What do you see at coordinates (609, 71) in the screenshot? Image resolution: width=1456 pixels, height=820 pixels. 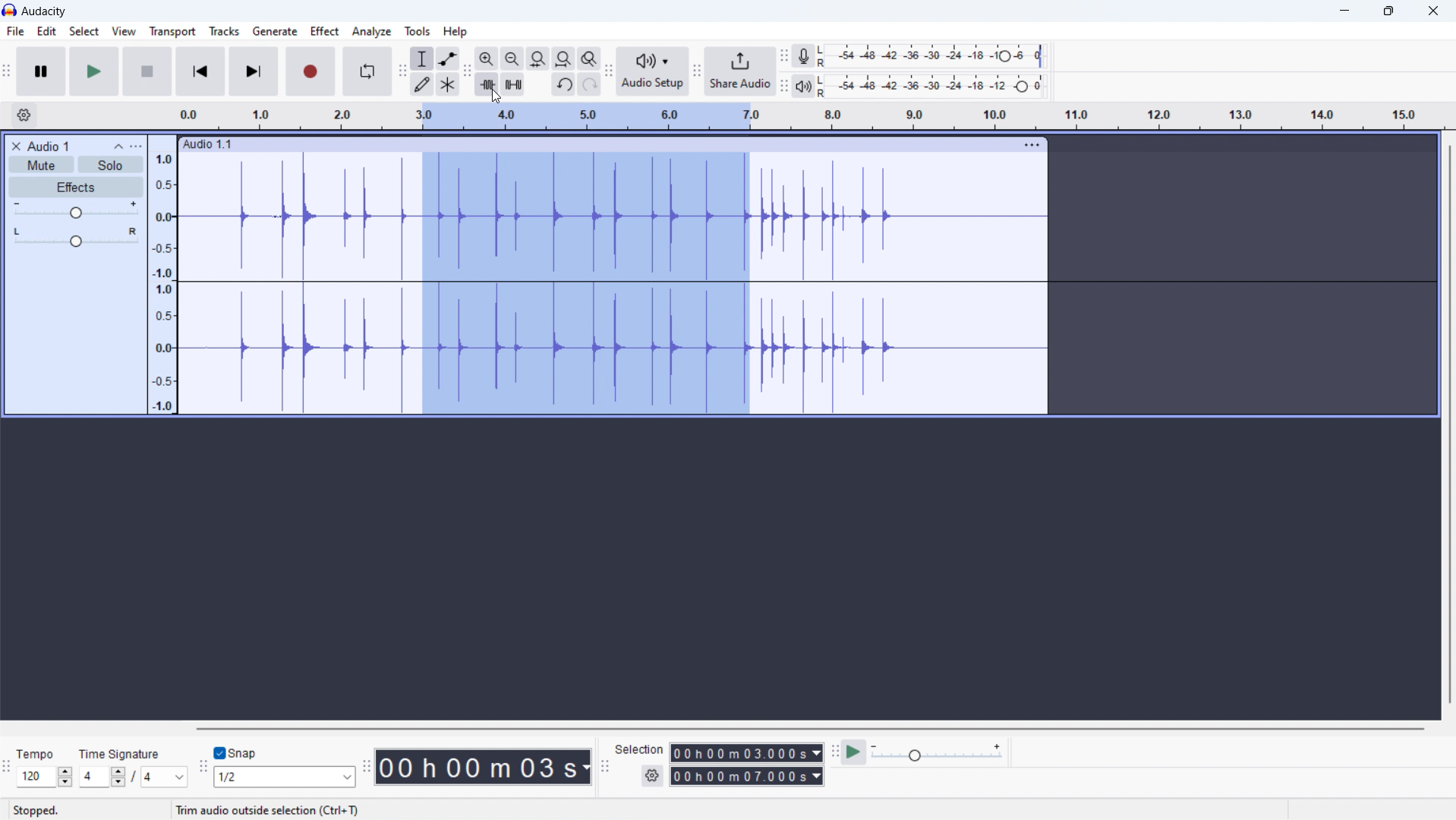 I see `audio setup toolbar` at bounding box center [609, 71].